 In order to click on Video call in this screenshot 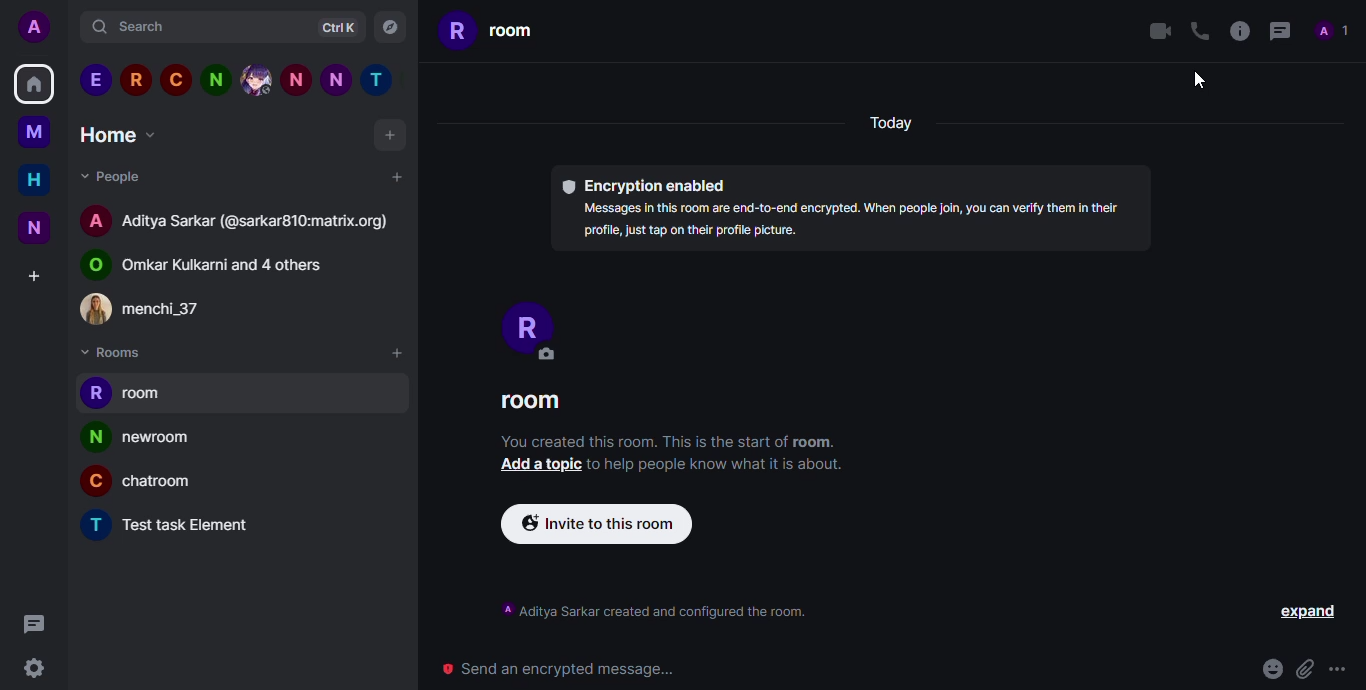, I will do `click(1162, 31)`.